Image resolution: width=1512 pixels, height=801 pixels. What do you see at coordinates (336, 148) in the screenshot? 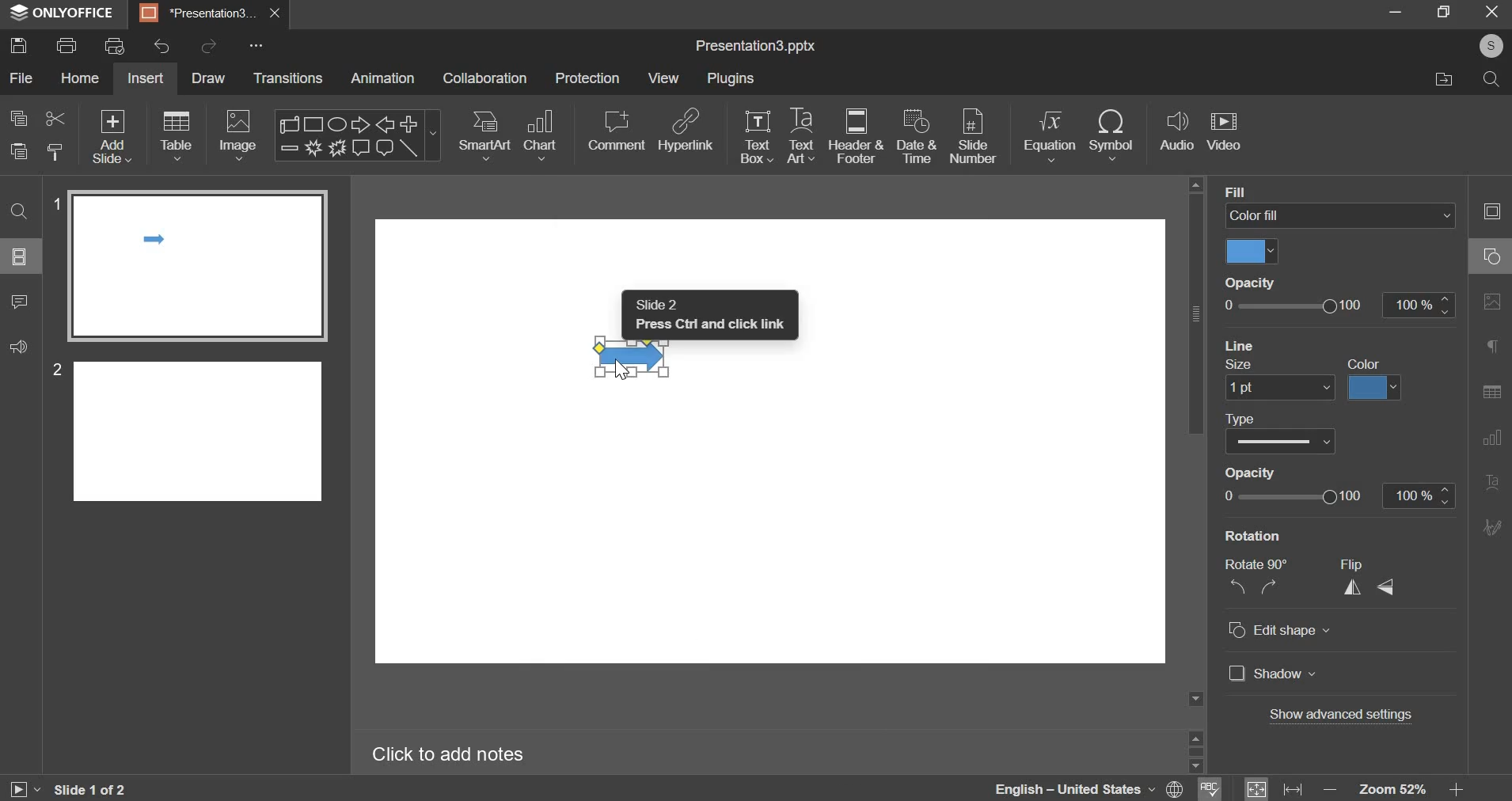
I see `explosion 2` at bounding box center [336, 148].